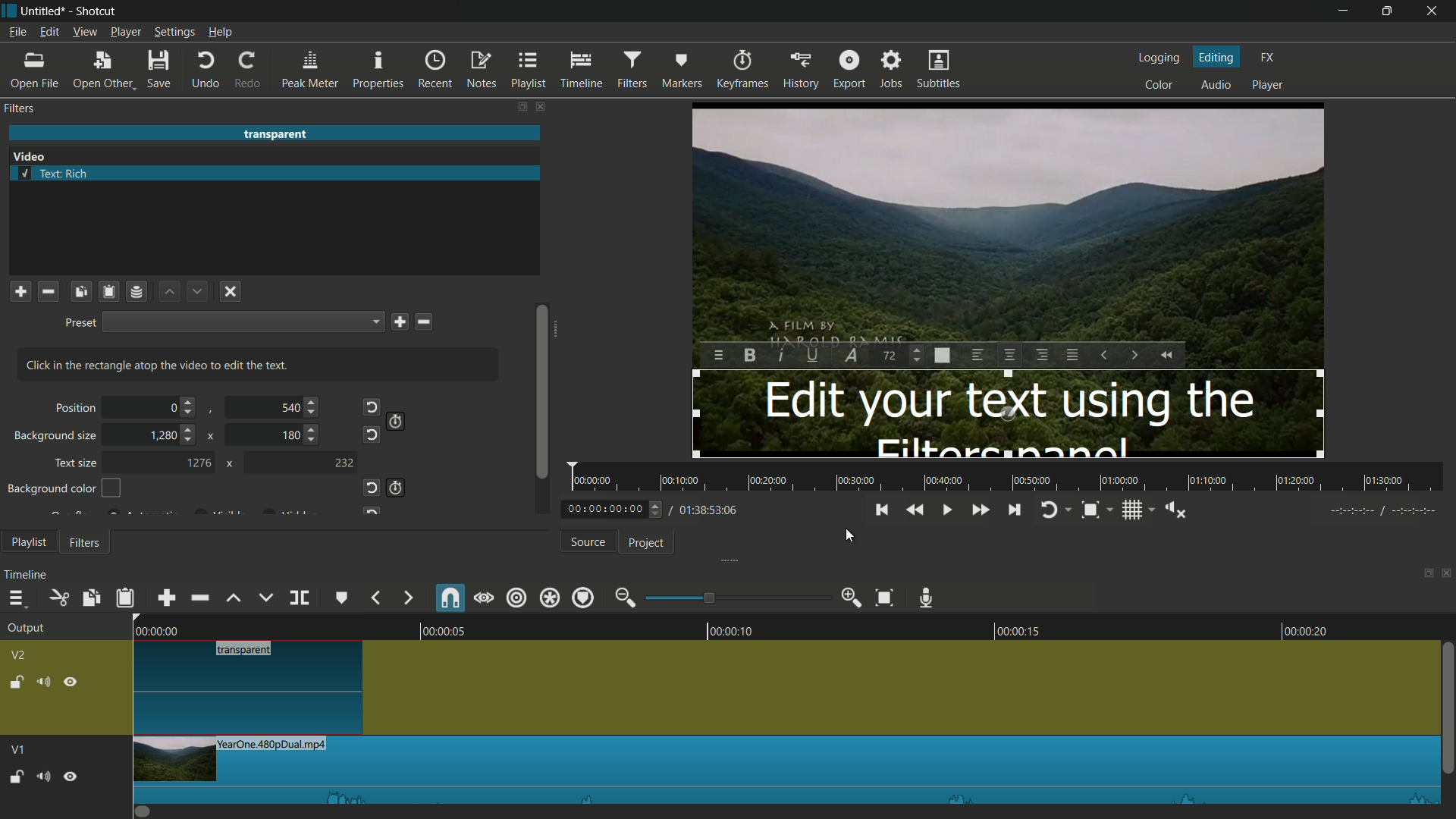 The height and width of the screenshot is (819, 1456). Describe the element at coordinates (734, 629) in the screenshot. I see `00:00:10` at that location.